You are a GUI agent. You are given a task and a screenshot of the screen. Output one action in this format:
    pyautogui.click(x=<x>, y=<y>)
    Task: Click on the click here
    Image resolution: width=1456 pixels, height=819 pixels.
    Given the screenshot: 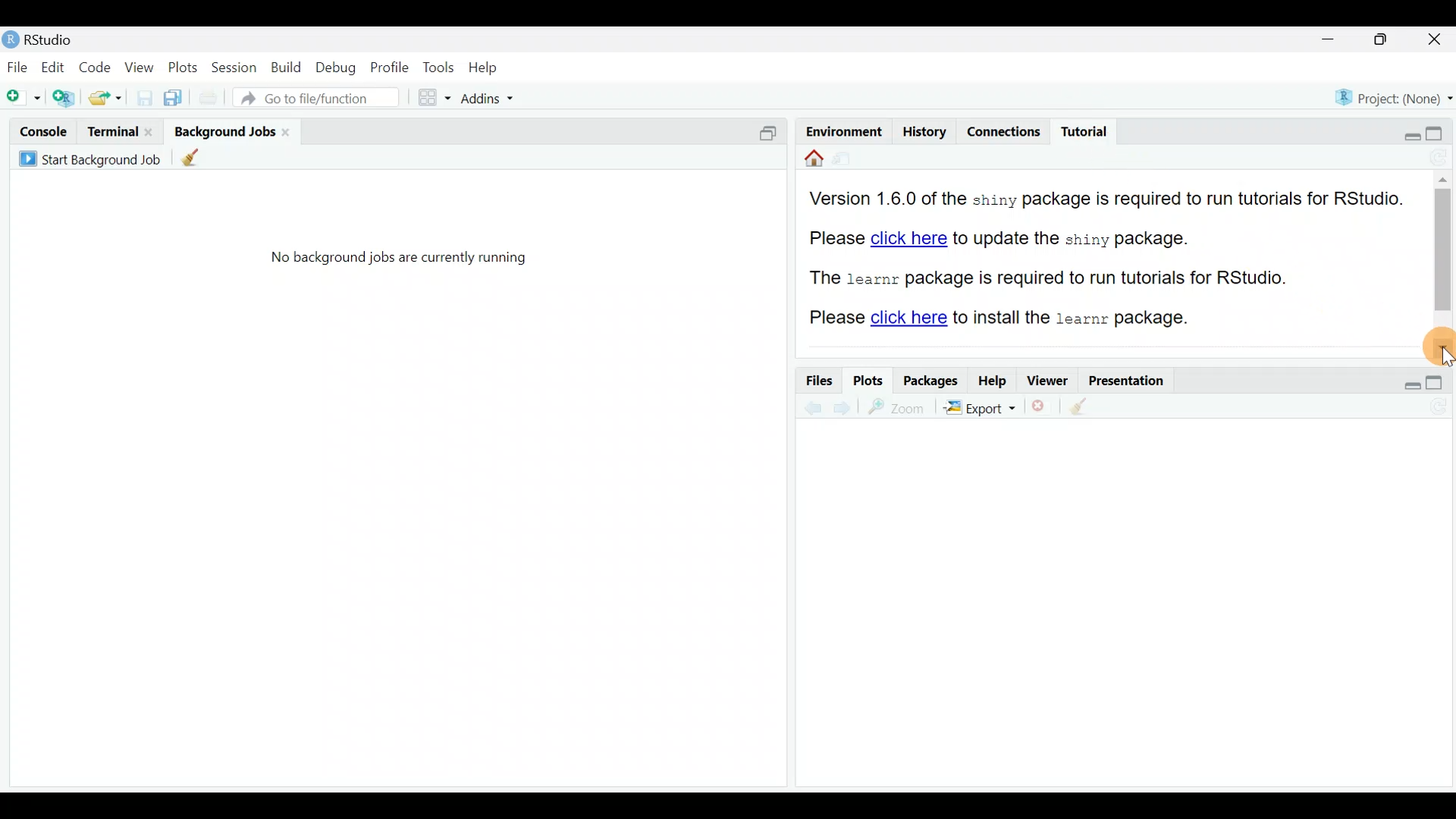 What is the action you would take?
    pyautogui.click(x=907, y=317)
    